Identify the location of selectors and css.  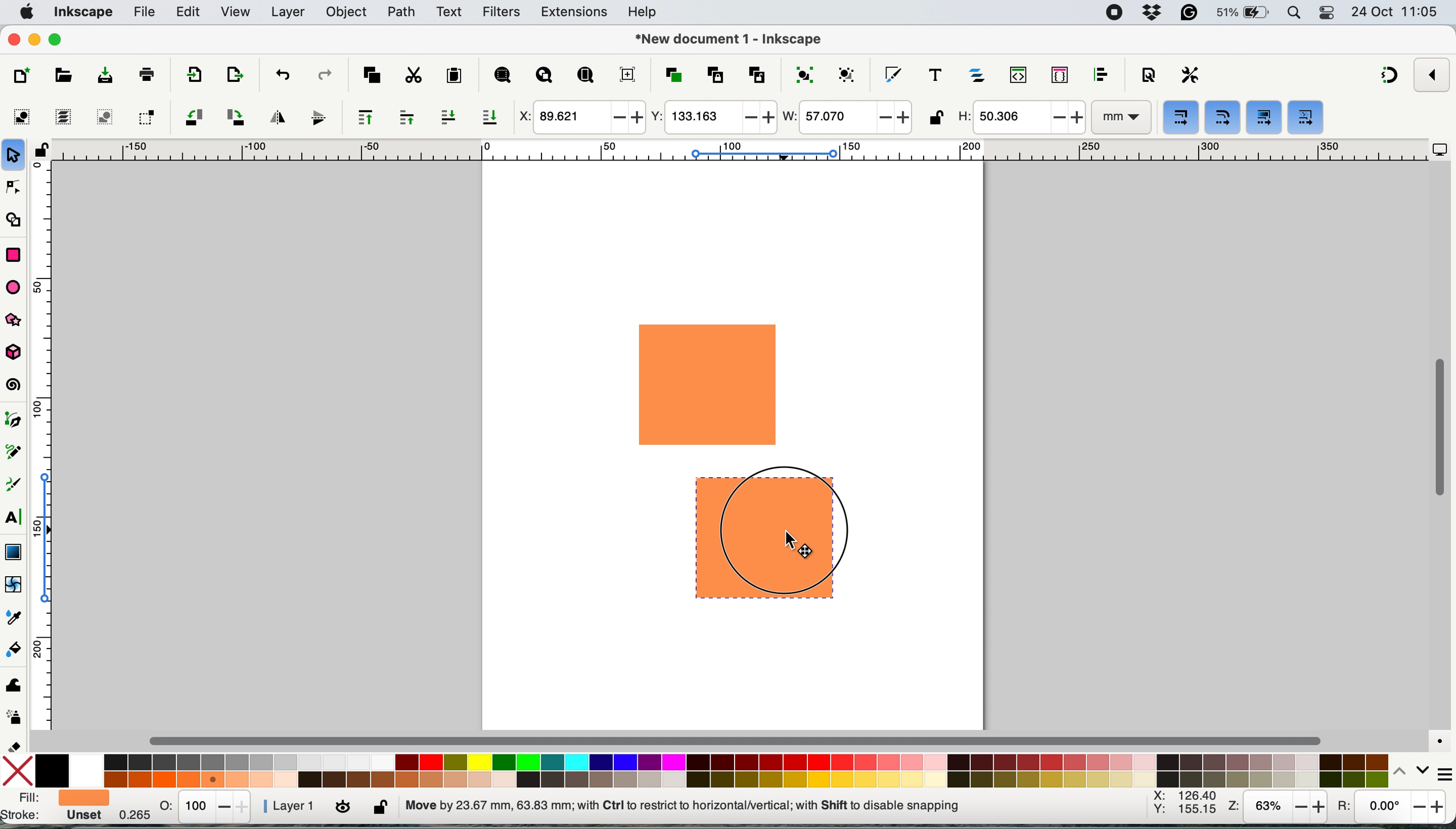
(1060, 74).